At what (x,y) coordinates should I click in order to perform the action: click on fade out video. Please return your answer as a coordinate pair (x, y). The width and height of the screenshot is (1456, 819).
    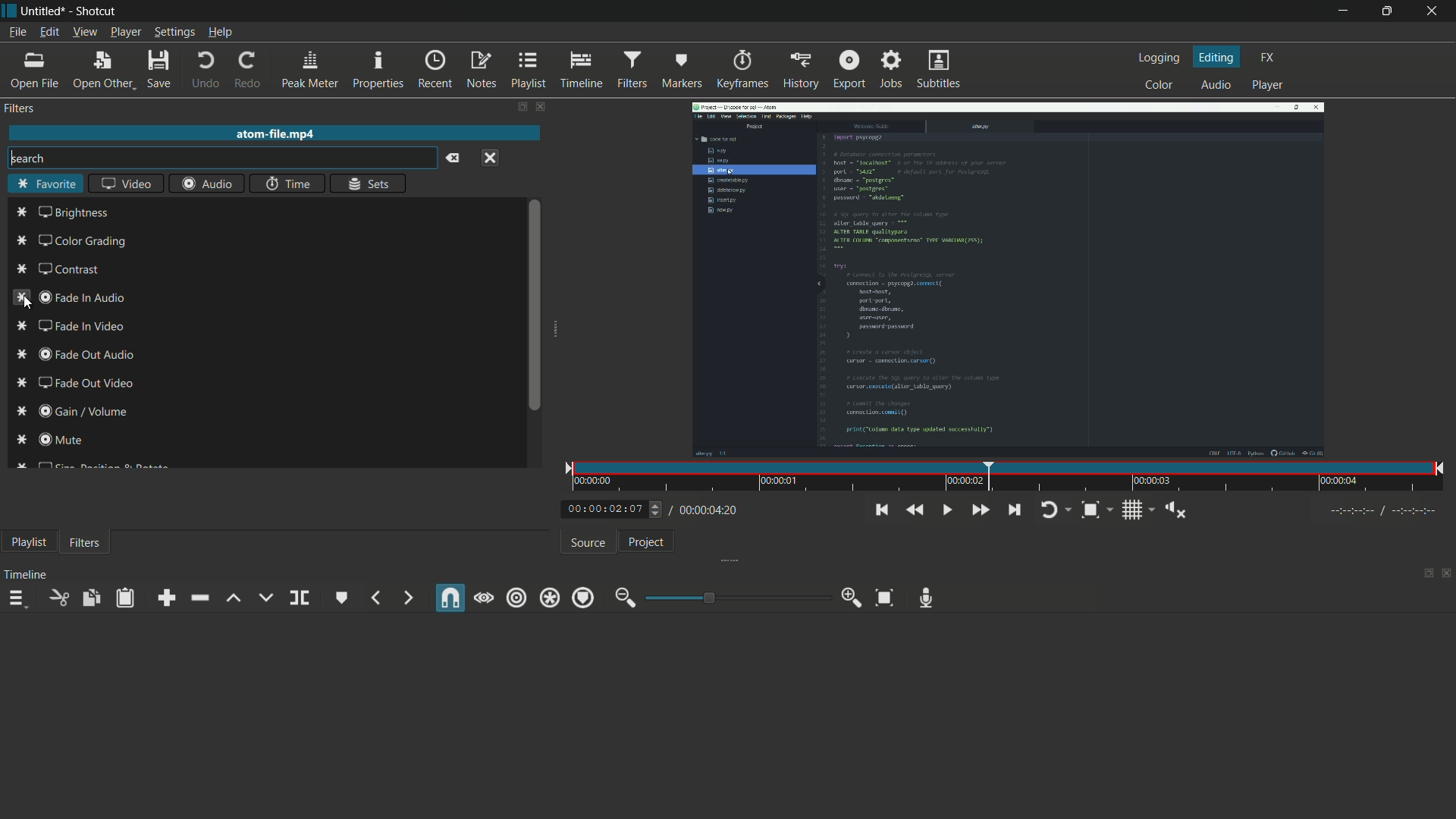
    Looking at the image, I should click on (85, 383).